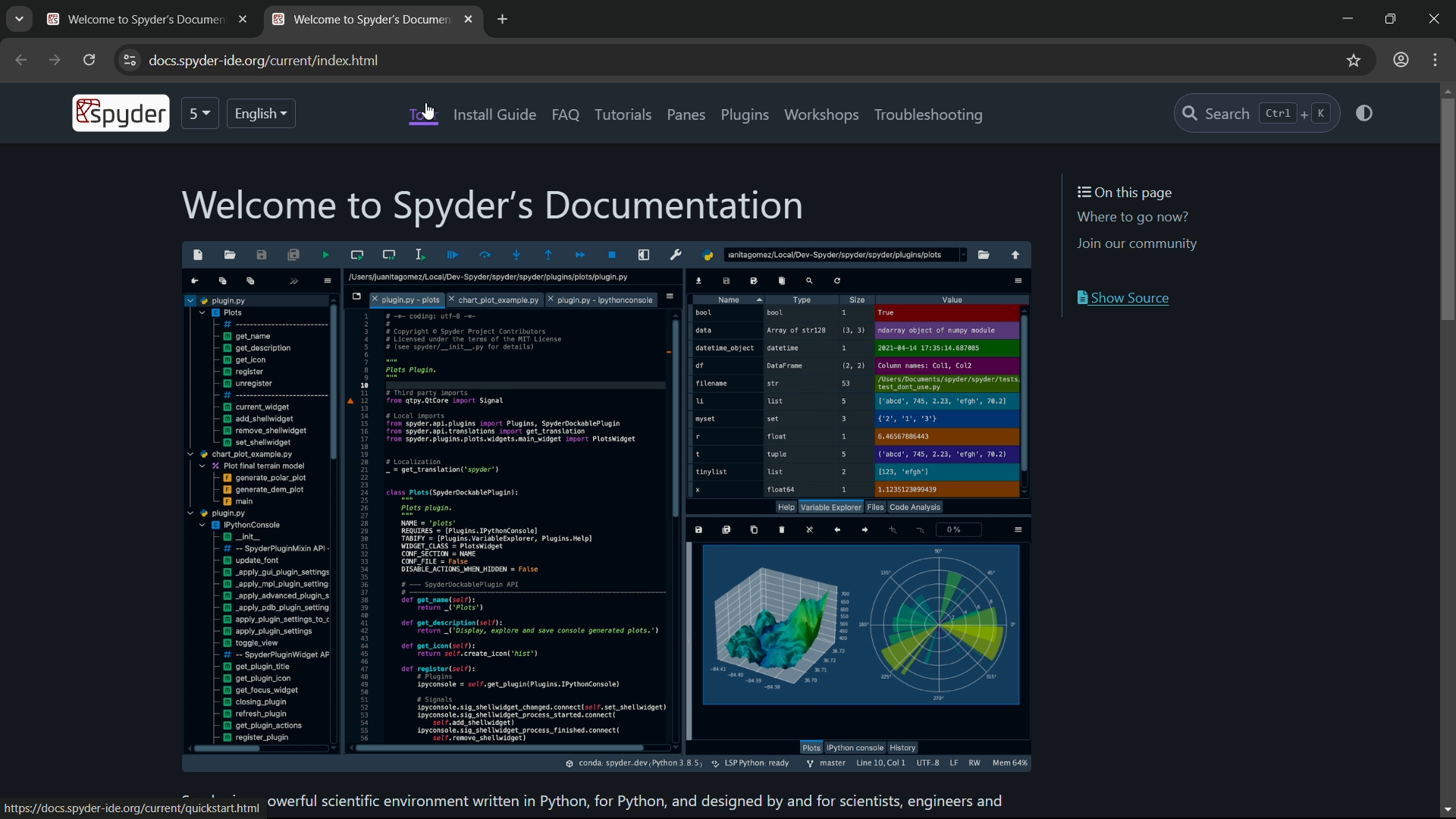 The height and width of the screenshot is (819, 1456). I want to click on Where to go now?, so click(1147, 219).